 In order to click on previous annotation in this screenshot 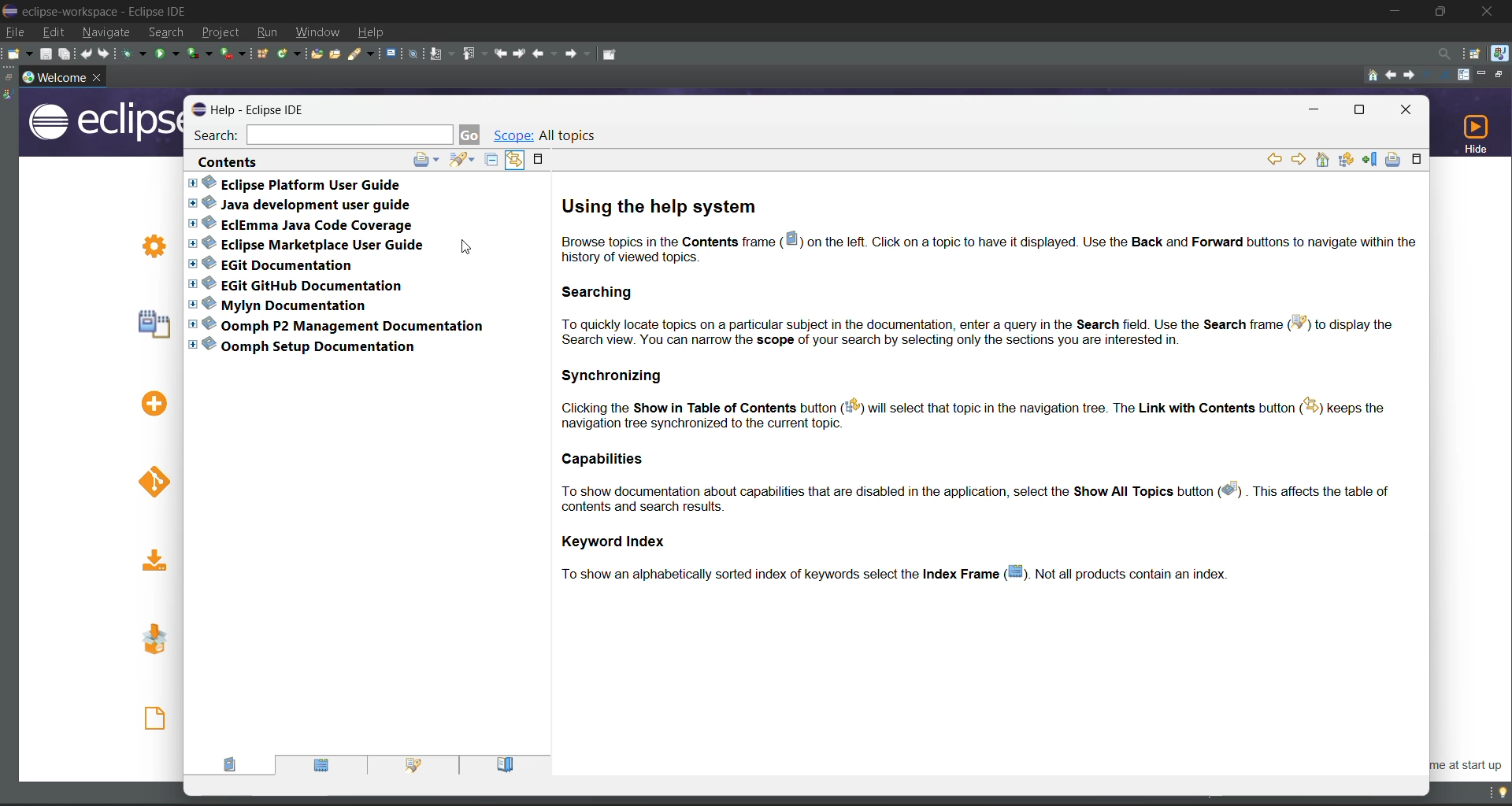, I will do `click(476, 55)`.